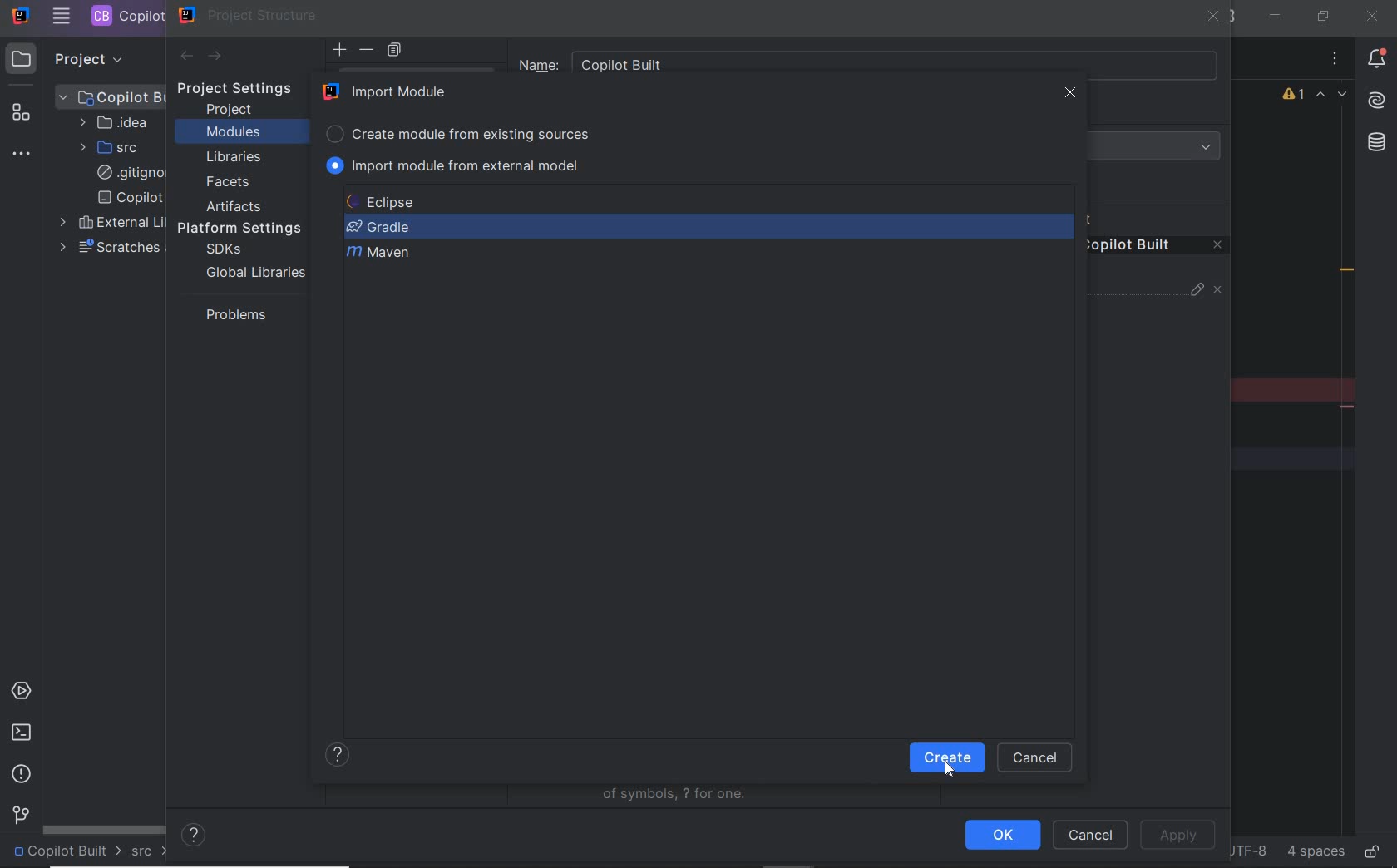 This screenshot has height=868, width=1397. What do you see at coordinates (1321, 16) in the screenshot?
I see `restore down` at bounding box center [1321, 16].